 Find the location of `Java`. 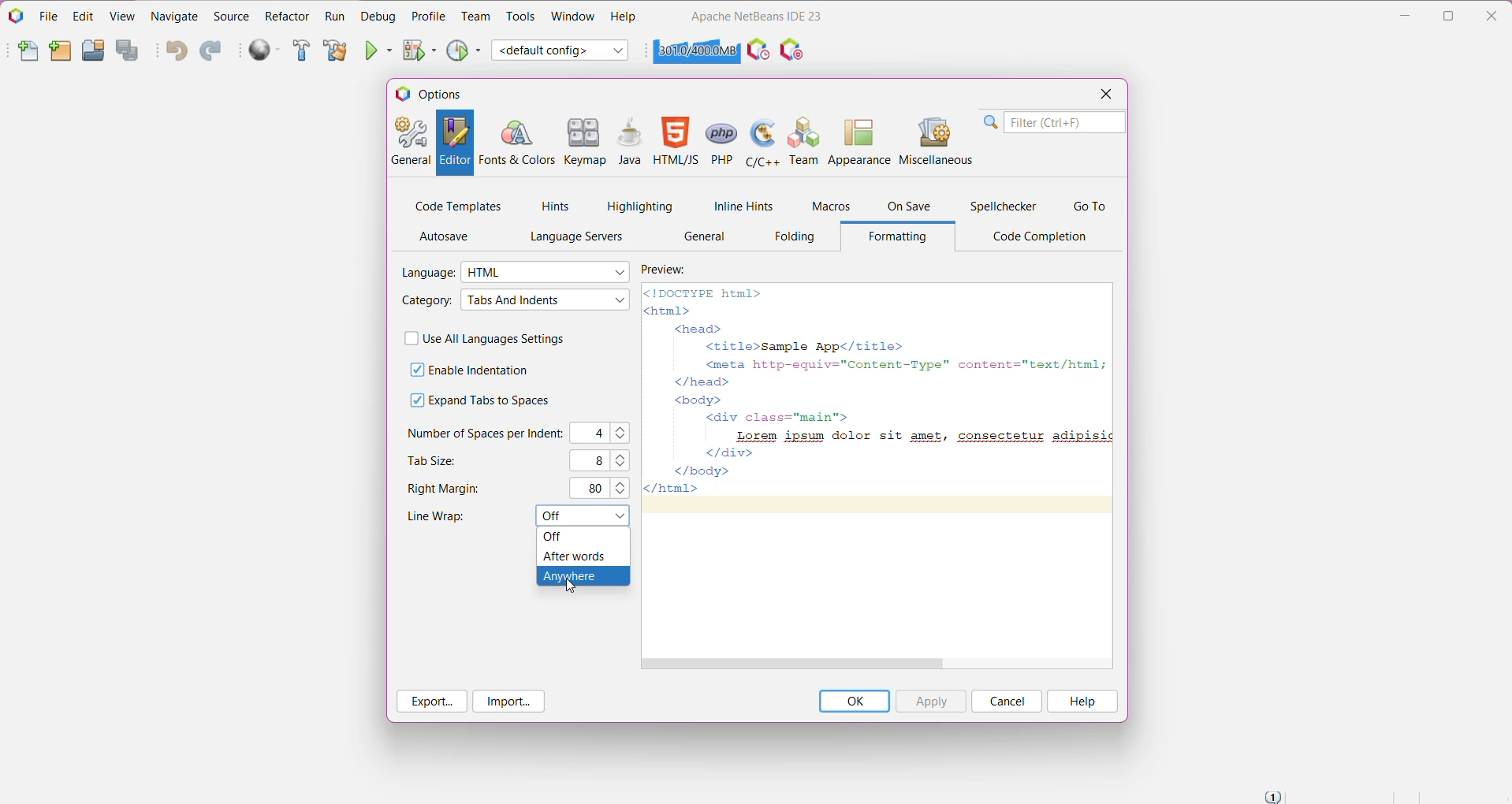

Java is located at coordinates (632, 143).